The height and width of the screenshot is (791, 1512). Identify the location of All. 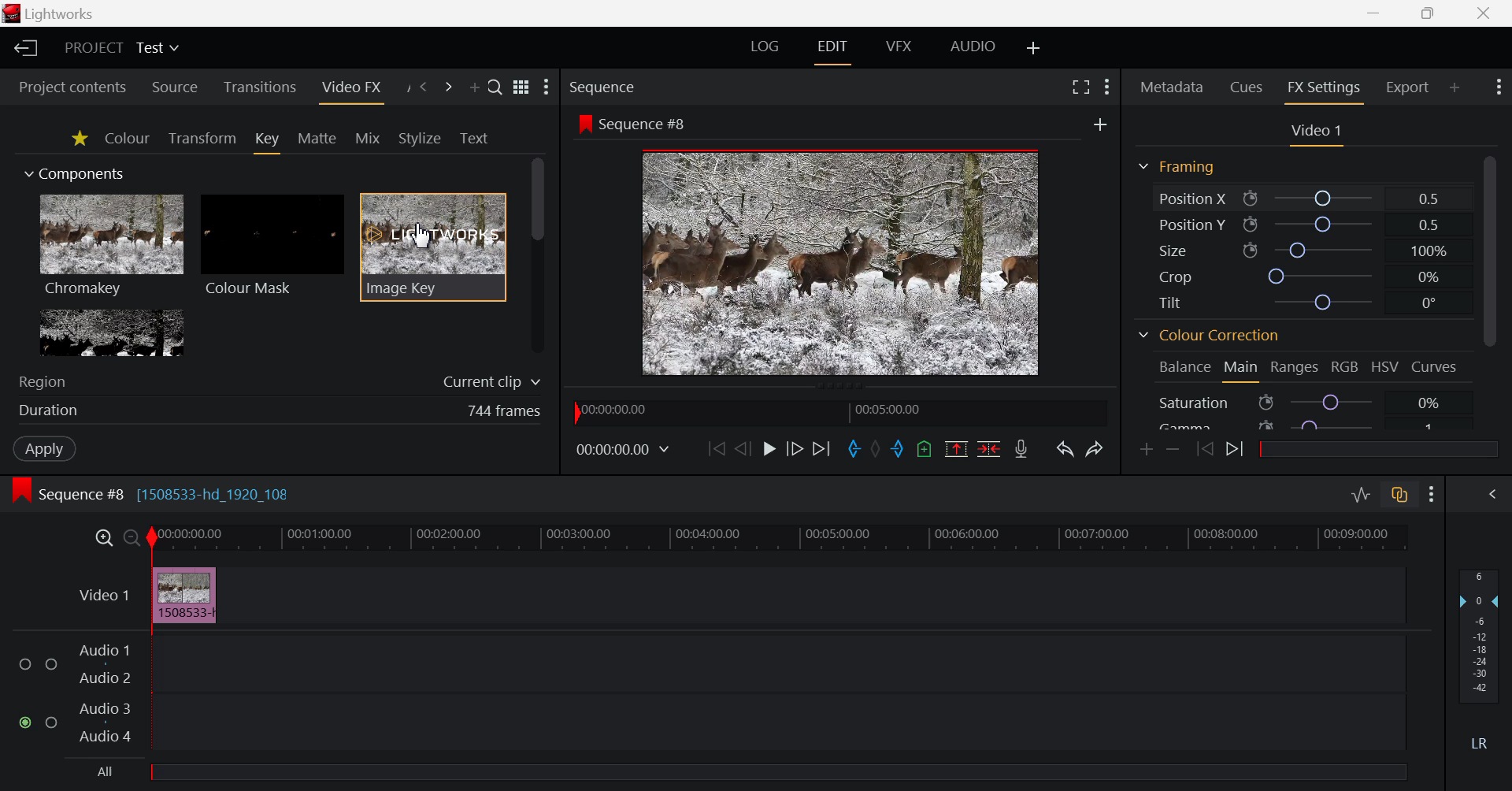
(106, 772).